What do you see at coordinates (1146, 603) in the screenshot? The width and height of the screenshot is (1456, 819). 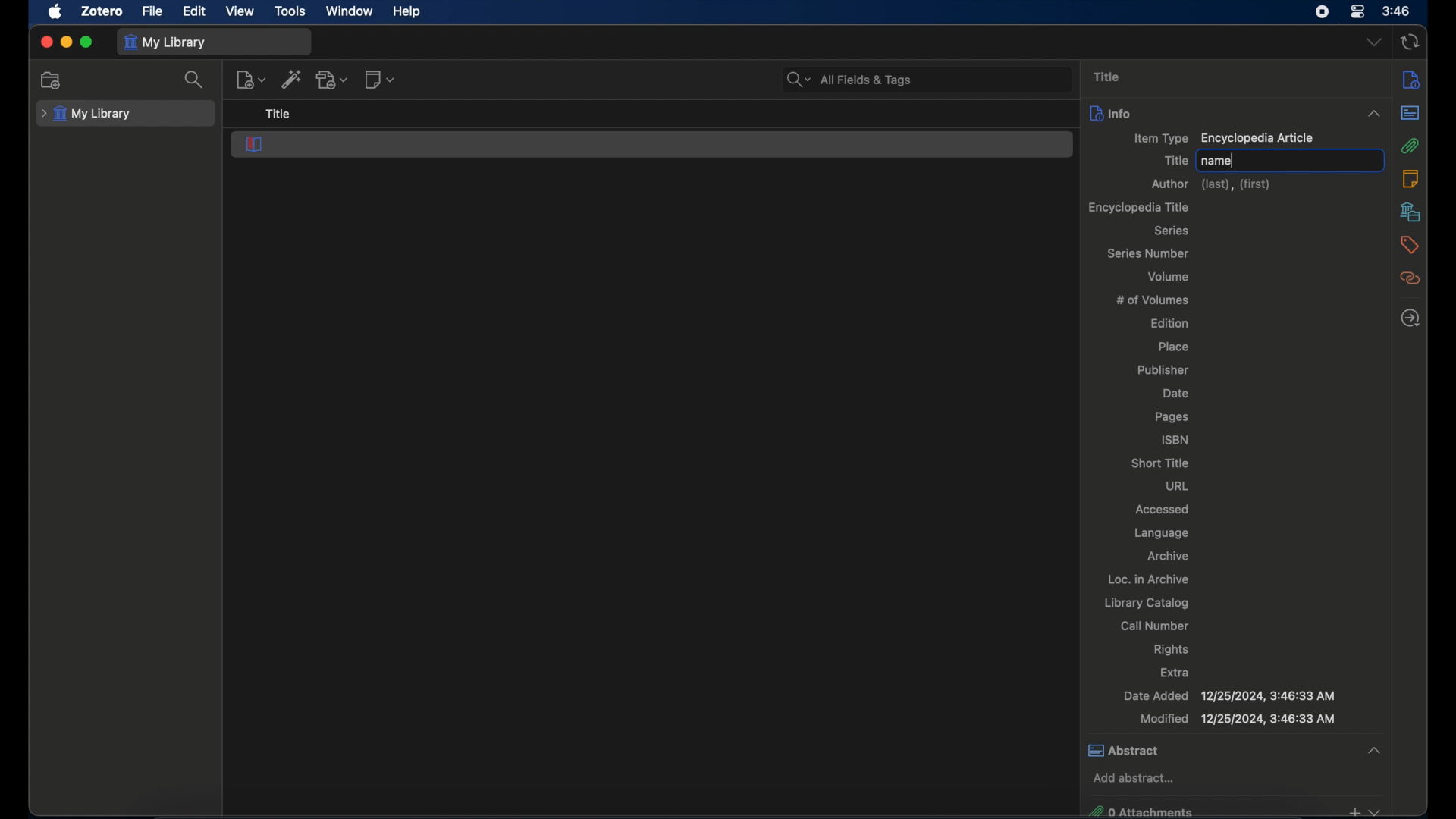 I see `library catalog` at bounding box center [1146, 603].